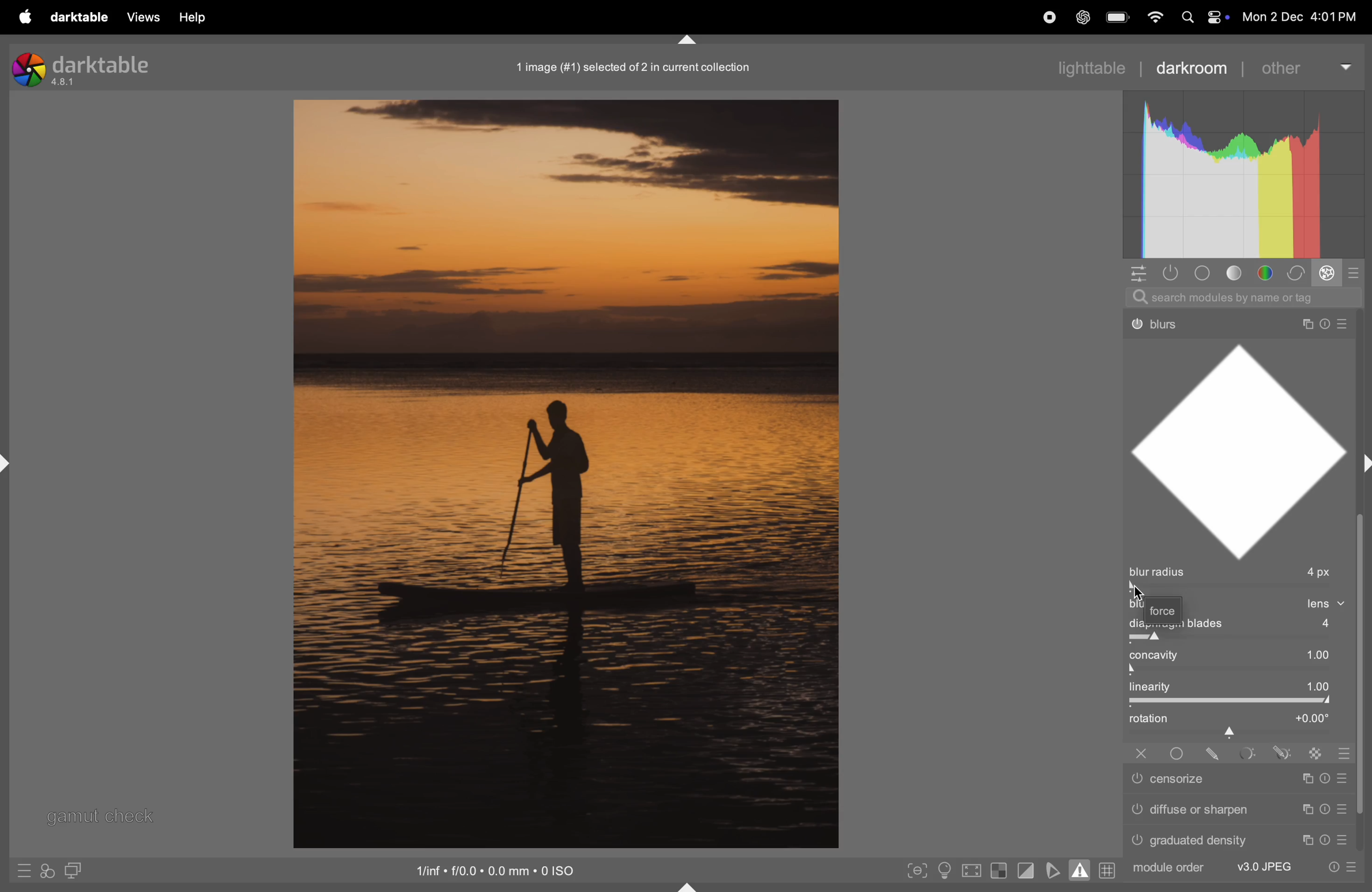 The height and width of the screenshot is (892, 1372). Describe the element at coordinates (1304, 66) in the screenshot. I see `other` at that location.